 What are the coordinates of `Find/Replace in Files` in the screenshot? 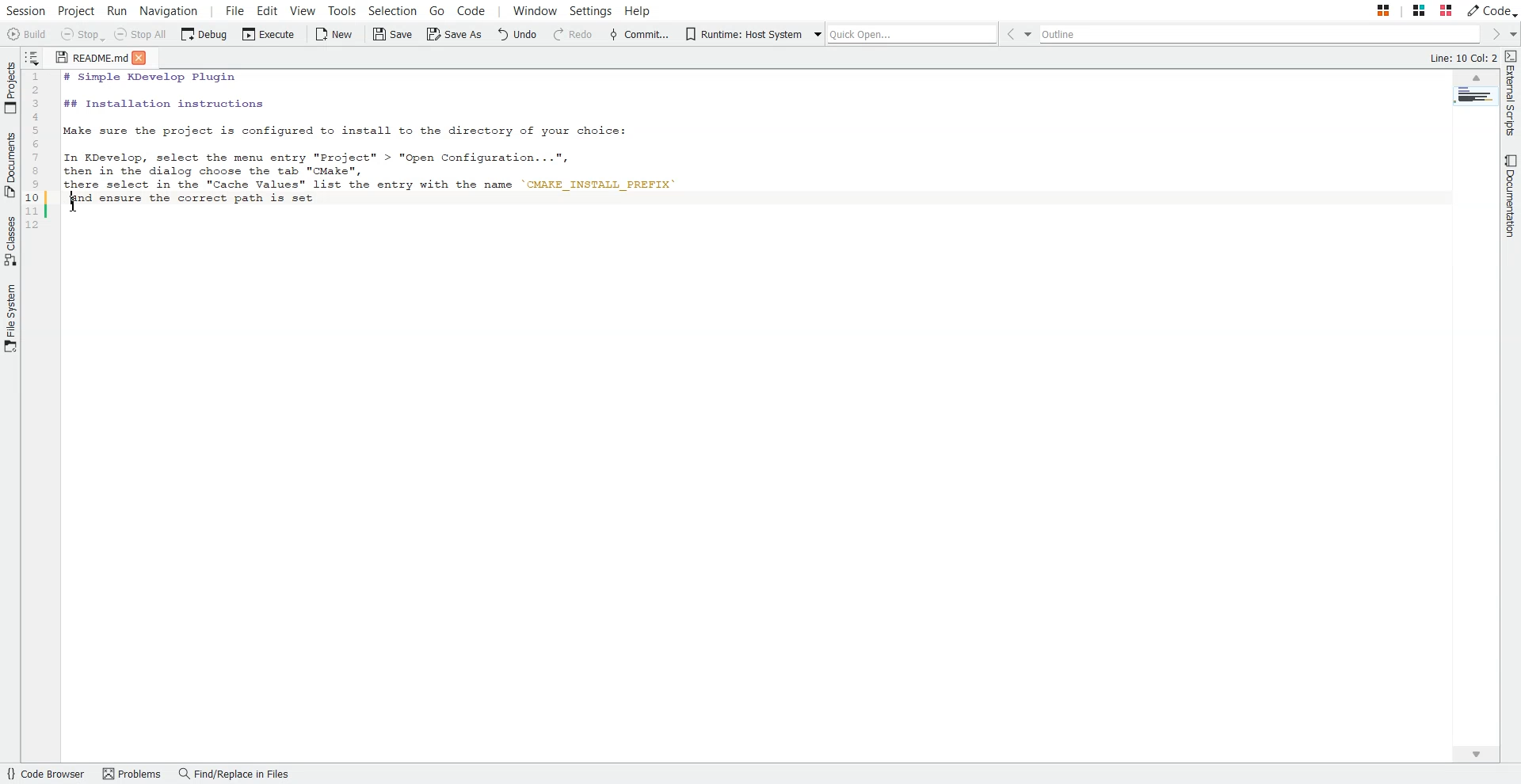 It's located at (235, 774).